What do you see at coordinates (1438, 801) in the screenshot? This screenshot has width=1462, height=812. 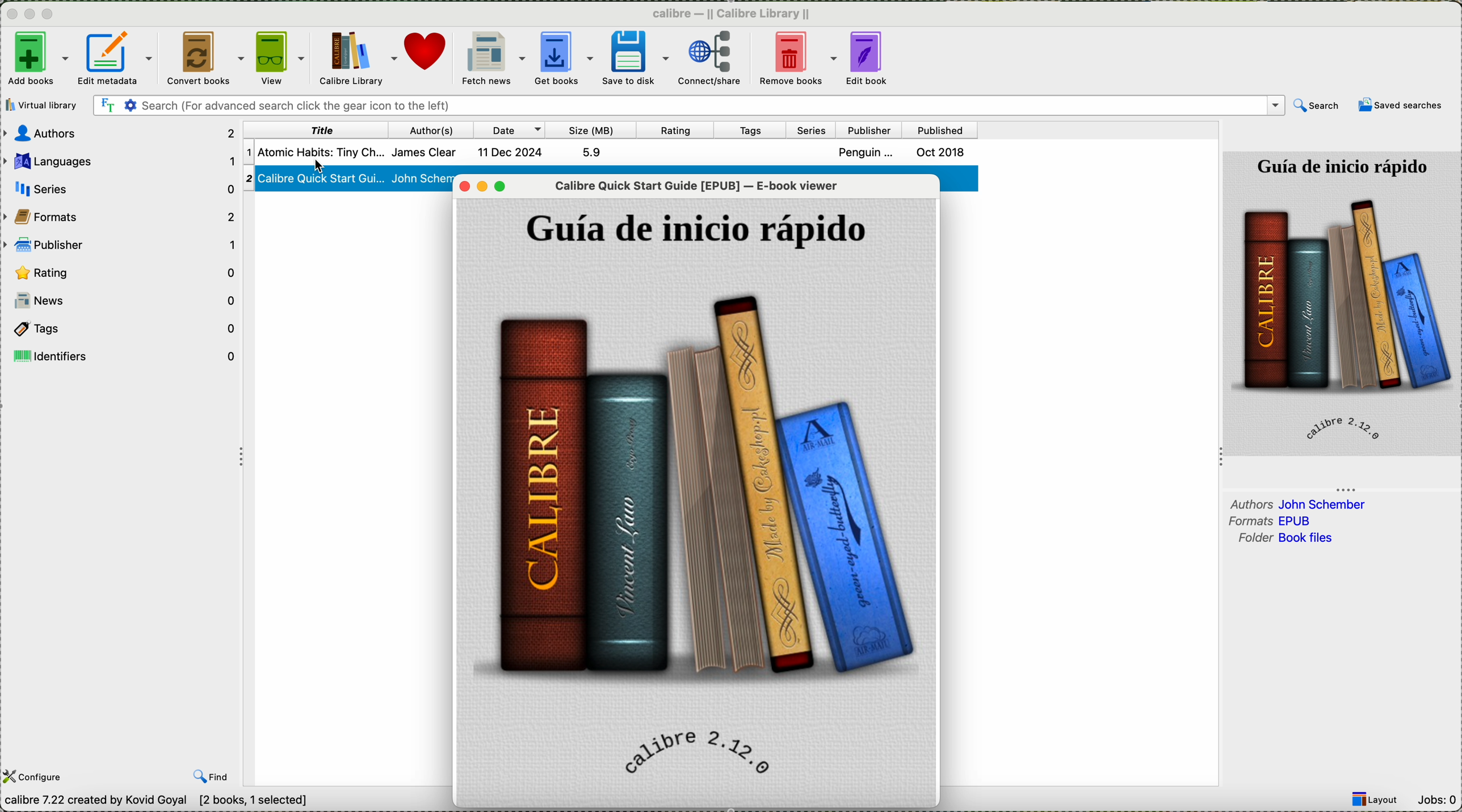 I see `Jobs: 0` at bounding box center [1438, 801].